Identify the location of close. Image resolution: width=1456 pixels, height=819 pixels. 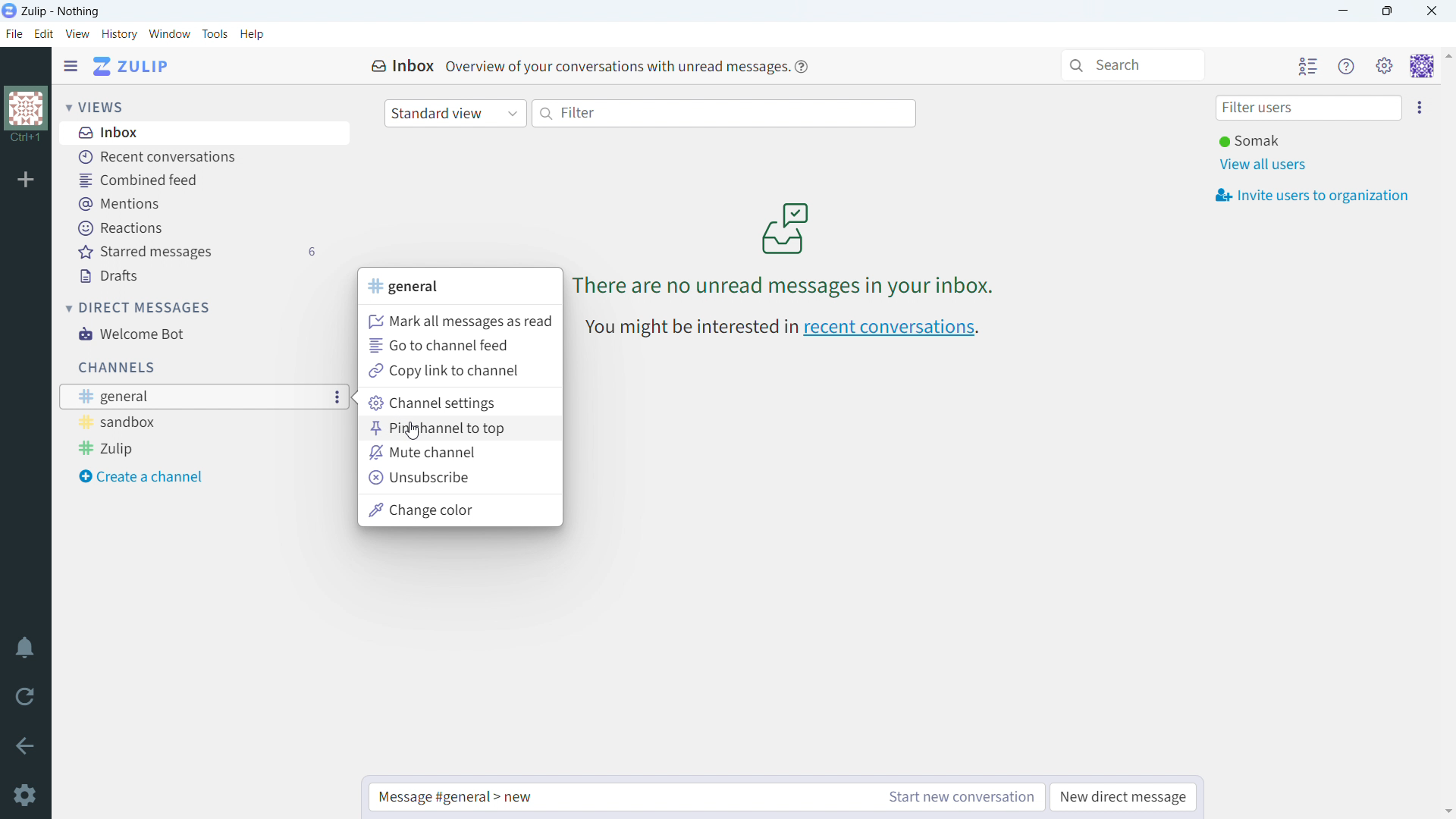
(1431, 11).